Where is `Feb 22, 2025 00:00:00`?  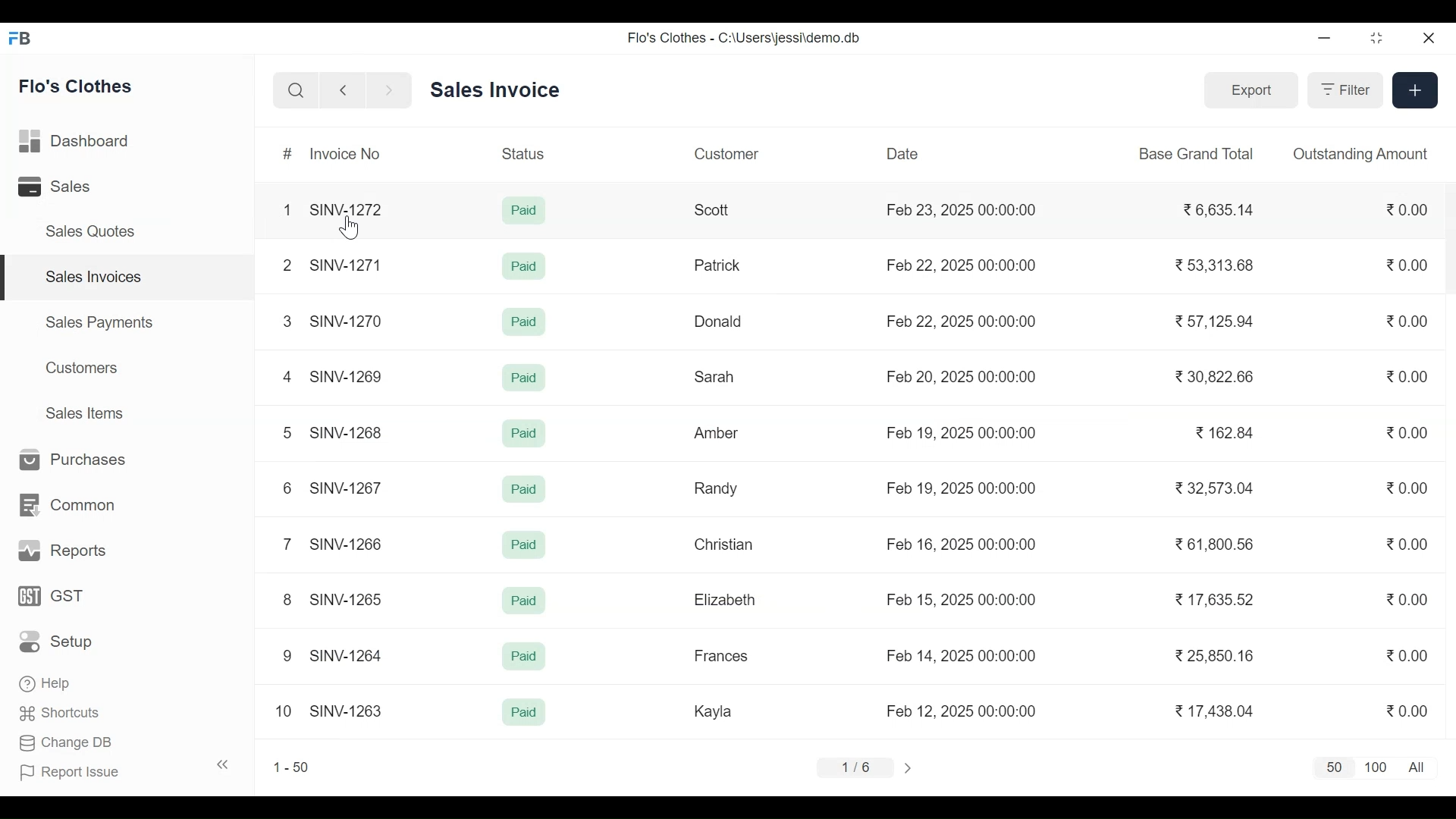 Feb 22, 2025 00:00:00 is located at coordinates (962, 321).